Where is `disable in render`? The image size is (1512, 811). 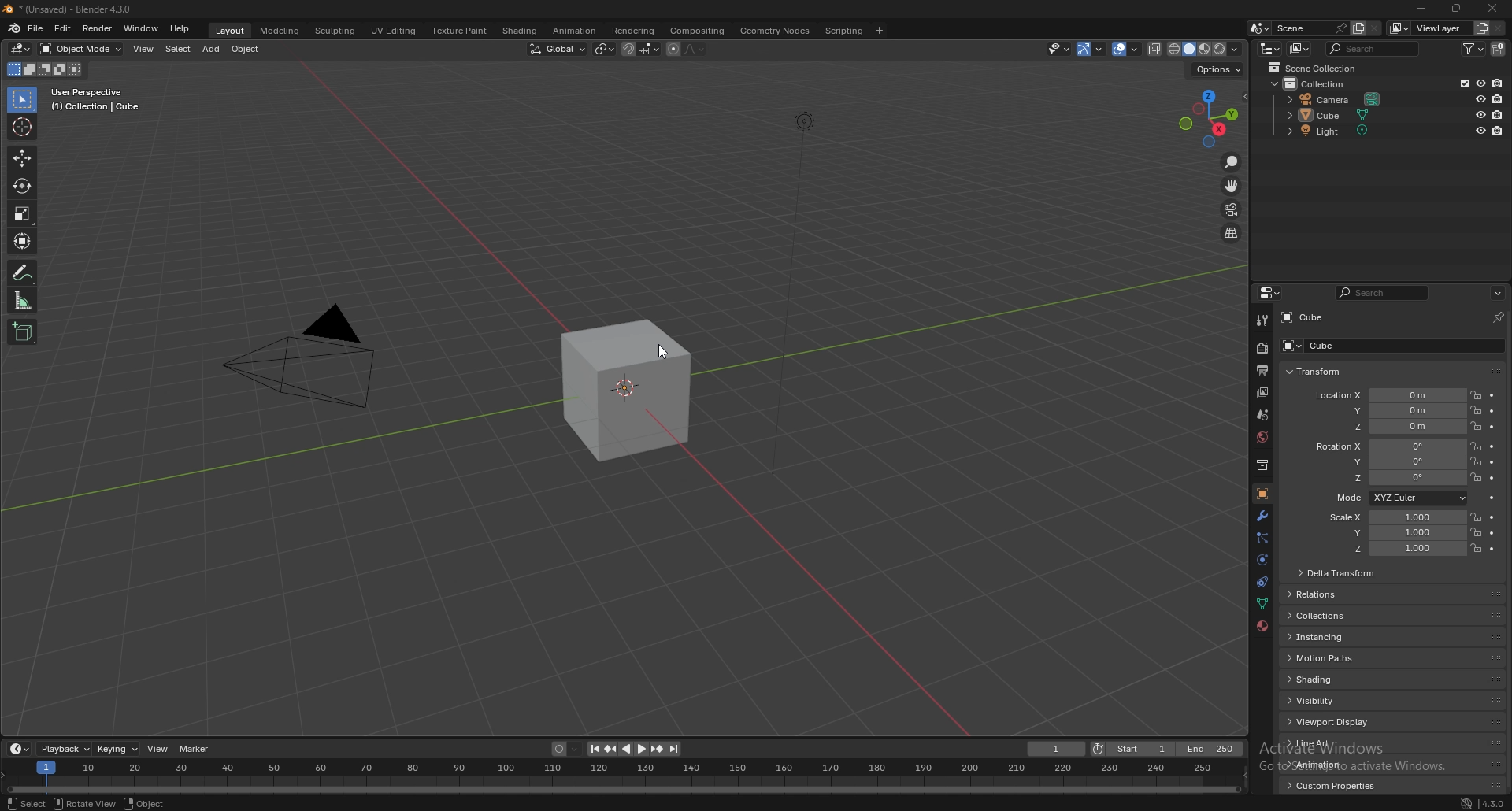 disable in render is located at coordinates (1498, 131).